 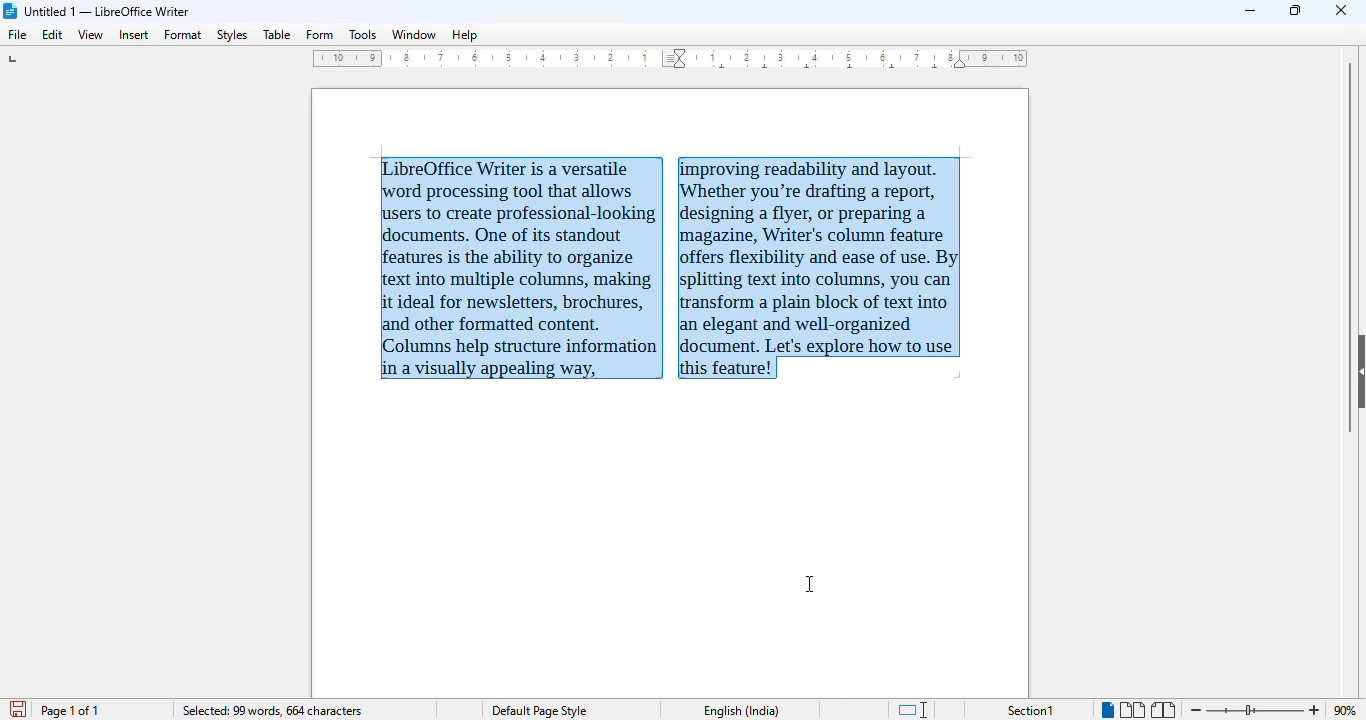 I want to click on file, so click(x=19, y=35).